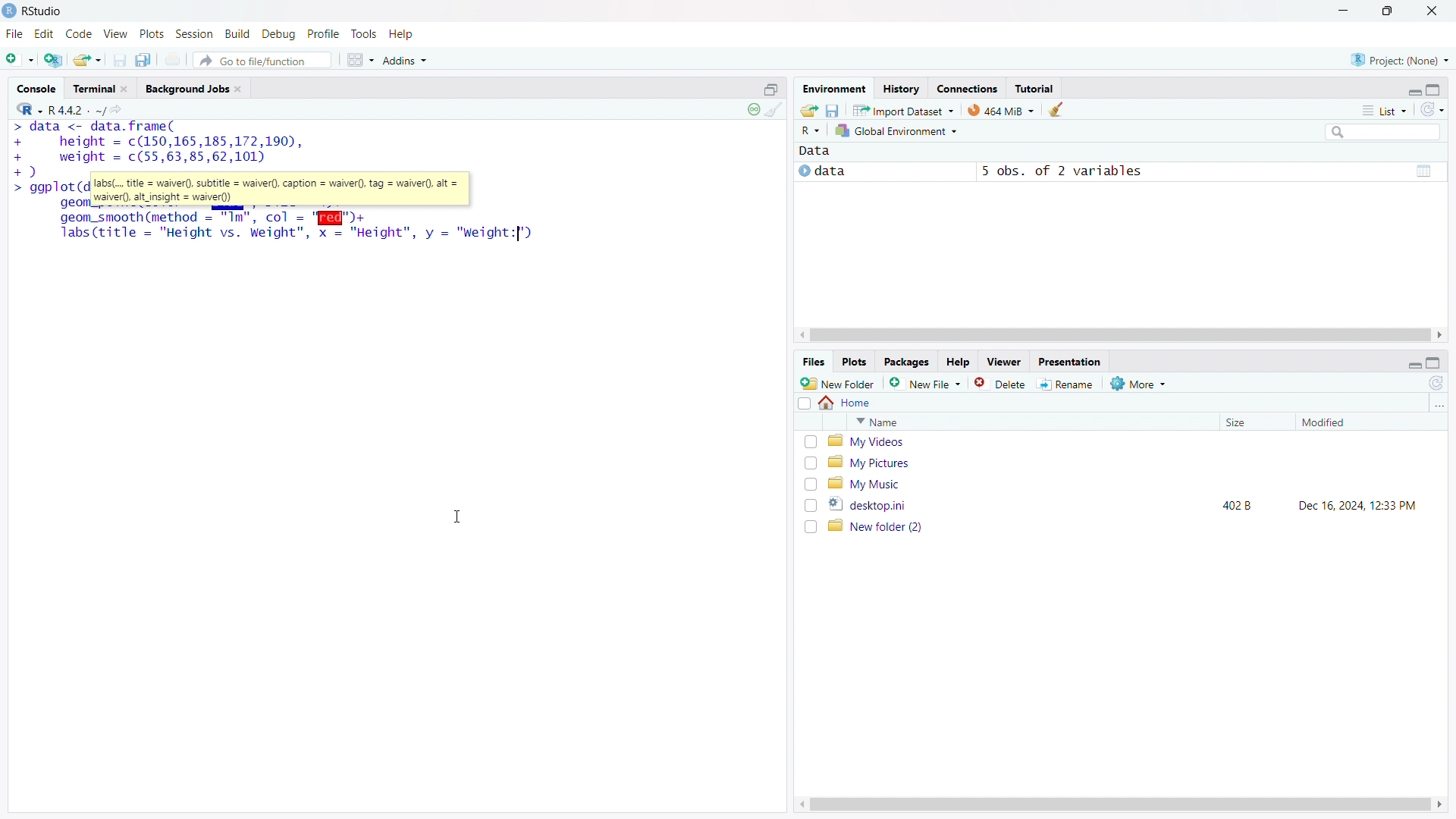 This screenshot has width=1456, height=819. Describe the element at coordinates (1436, 88) in the screenshot. I see `expand pane` at that location.